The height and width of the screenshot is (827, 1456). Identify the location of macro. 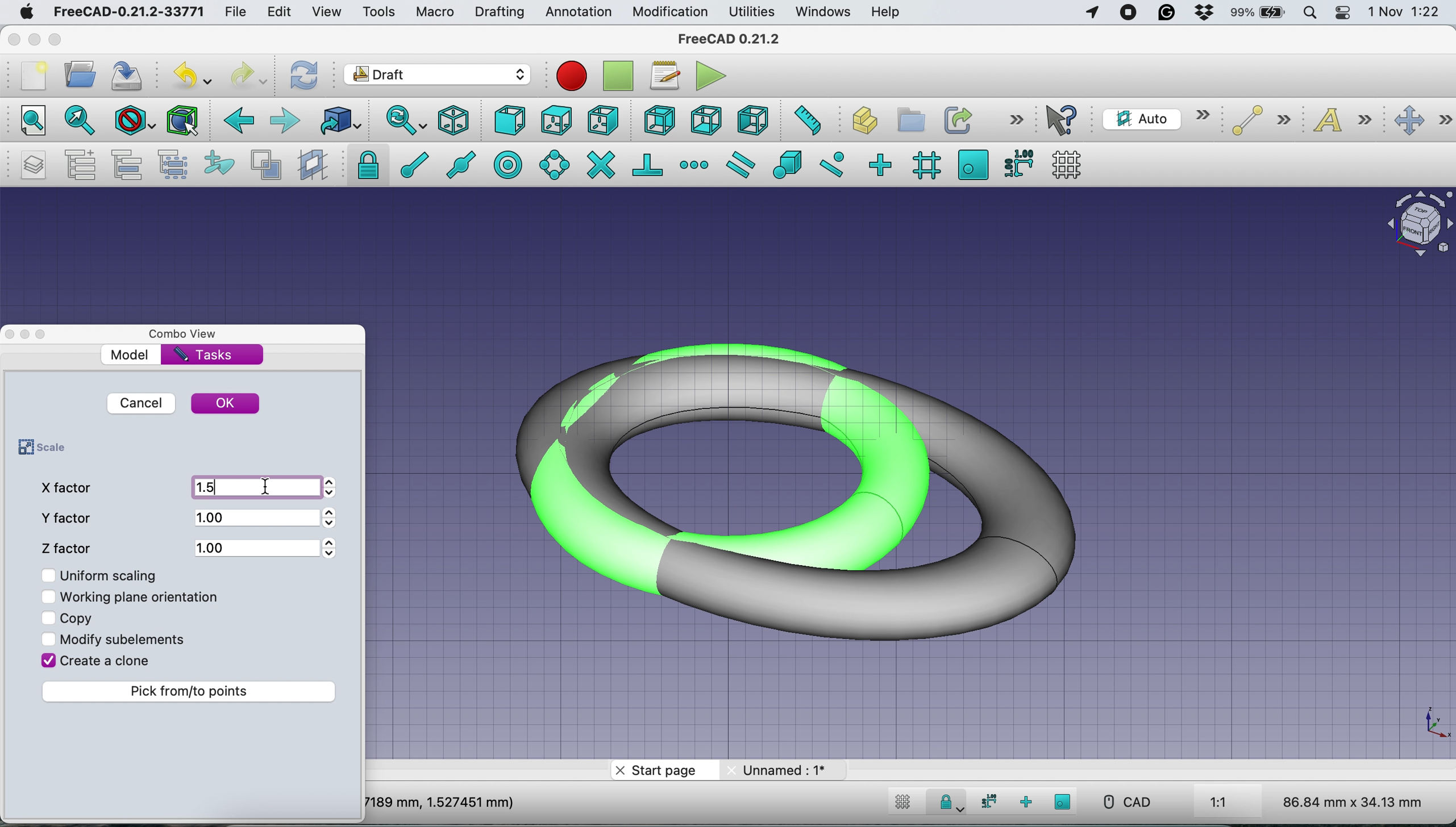
(435, 14).